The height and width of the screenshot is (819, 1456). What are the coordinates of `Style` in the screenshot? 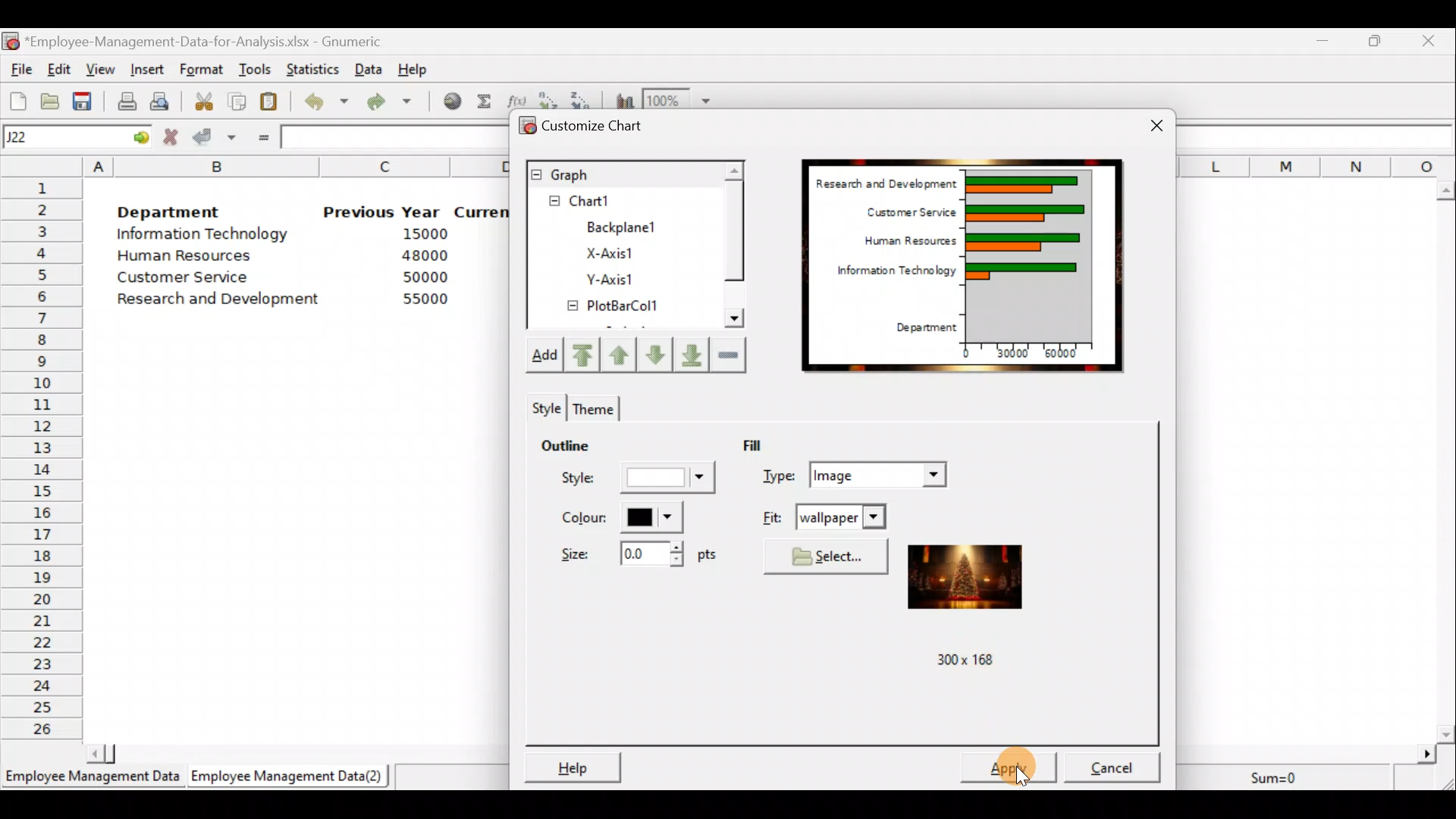 It's located at (544, 406).